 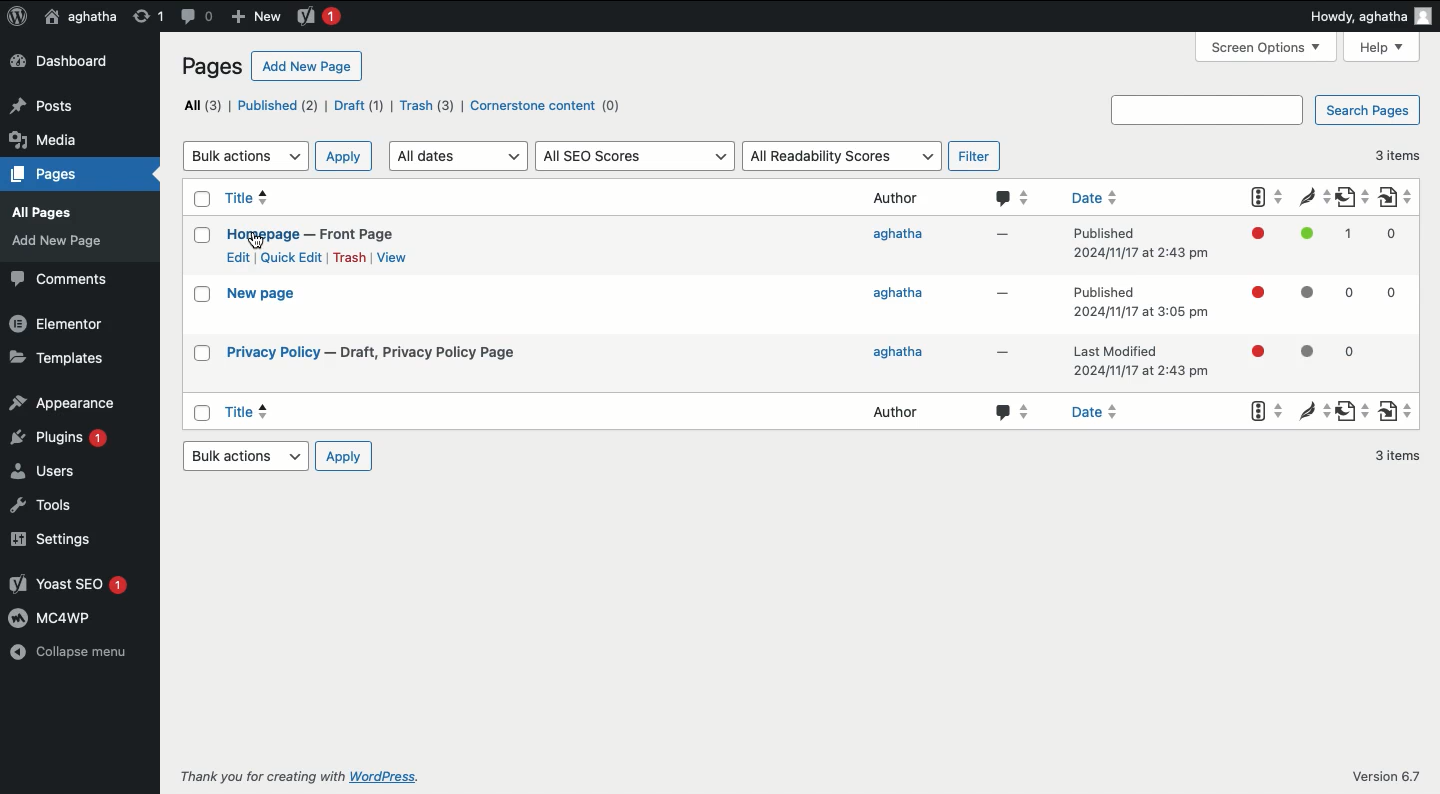 I want to click on All readability scores, so click(x=842, y=155).